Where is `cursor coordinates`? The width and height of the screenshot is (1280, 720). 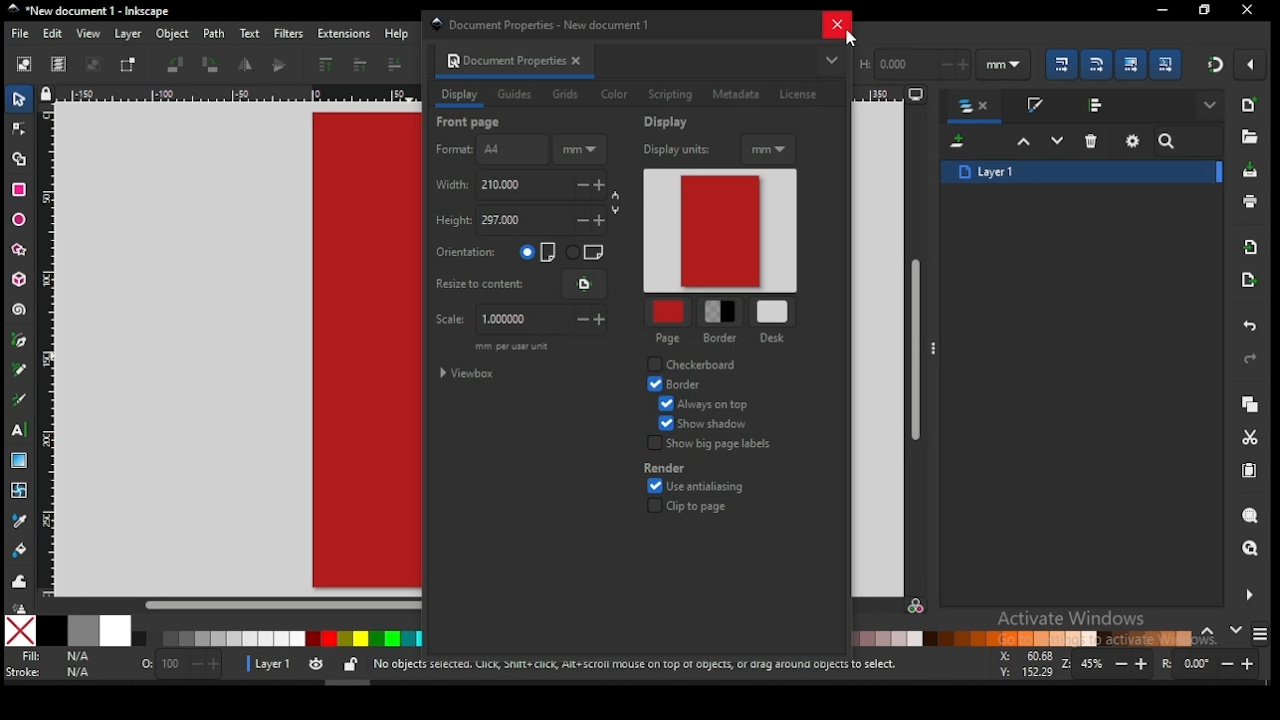
cursor coordinates is located at coordinates (1023, 662).